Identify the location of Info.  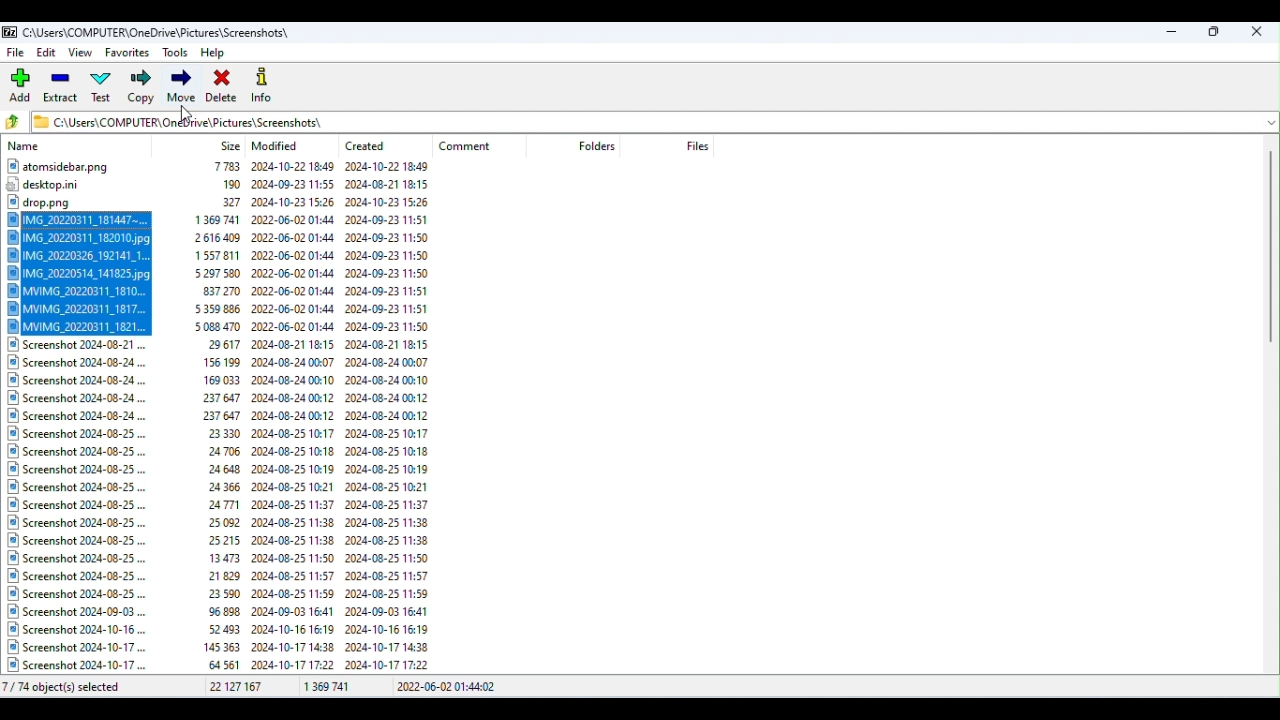
(264, 84).